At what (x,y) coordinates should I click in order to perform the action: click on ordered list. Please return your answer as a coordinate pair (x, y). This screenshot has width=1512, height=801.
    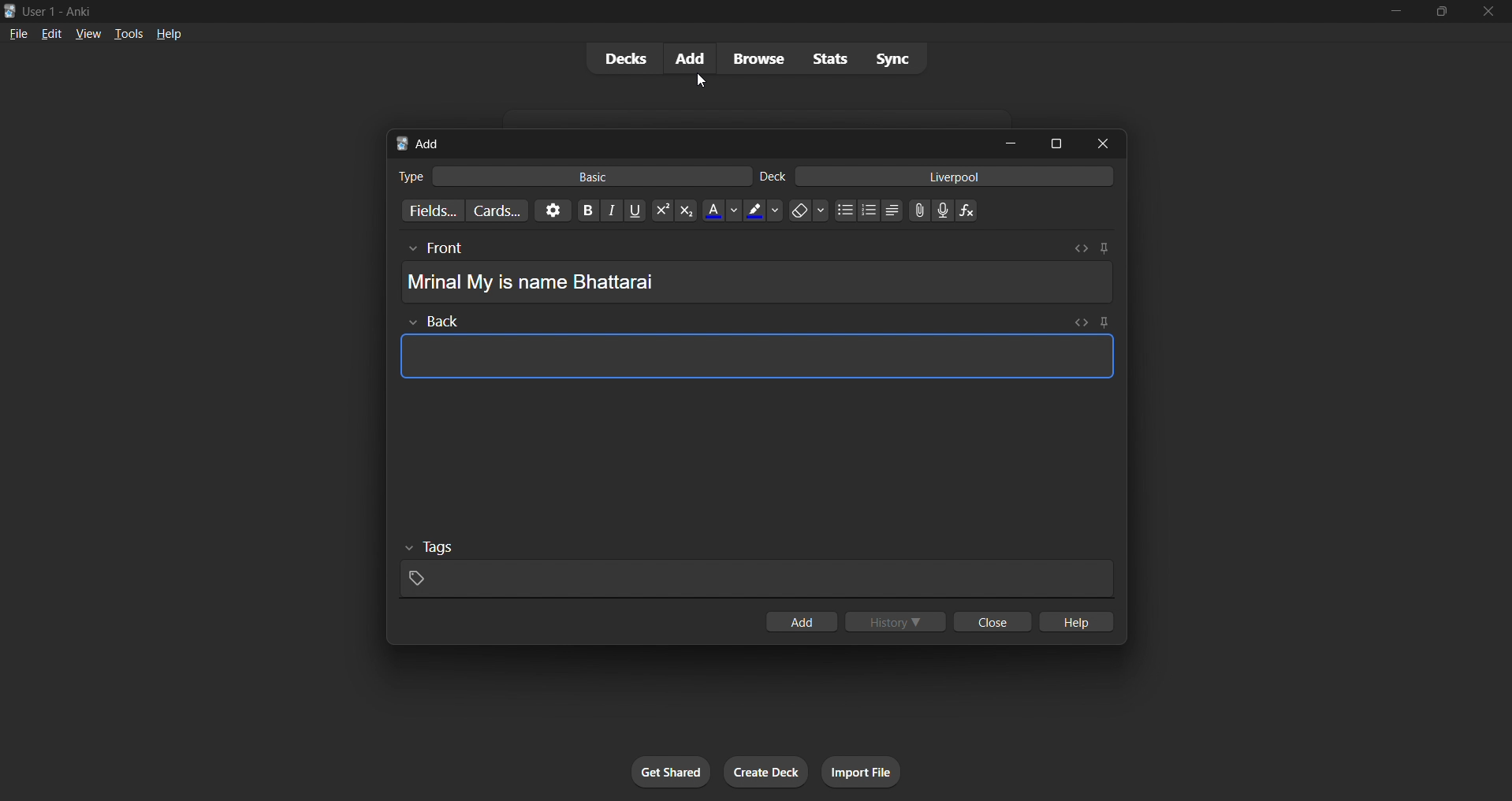
    Looking at the image, I should click on (872, 210).